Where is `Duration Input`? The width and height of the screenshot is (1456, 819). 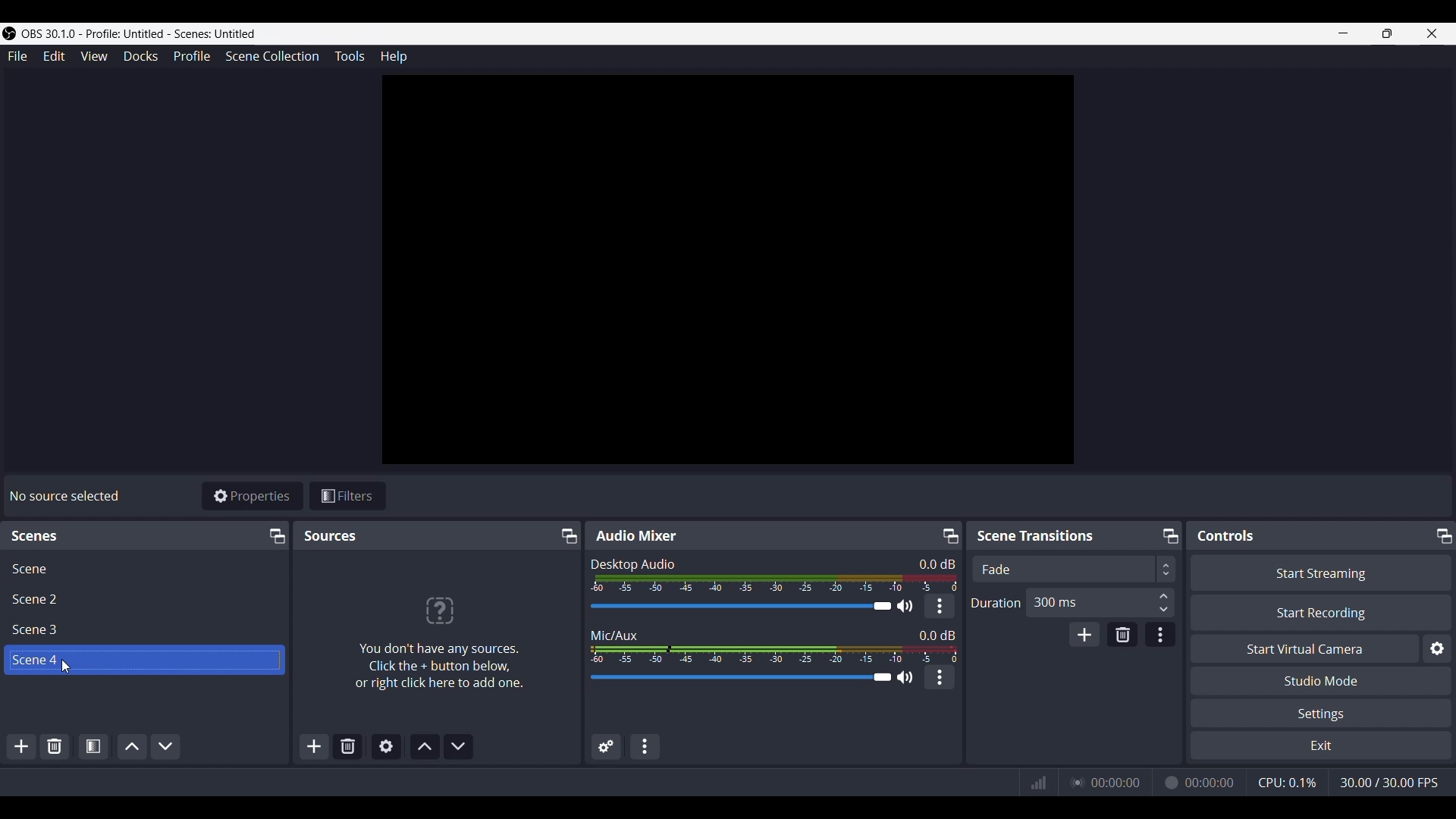
Duration Input is located at coordinates (1163, 602).